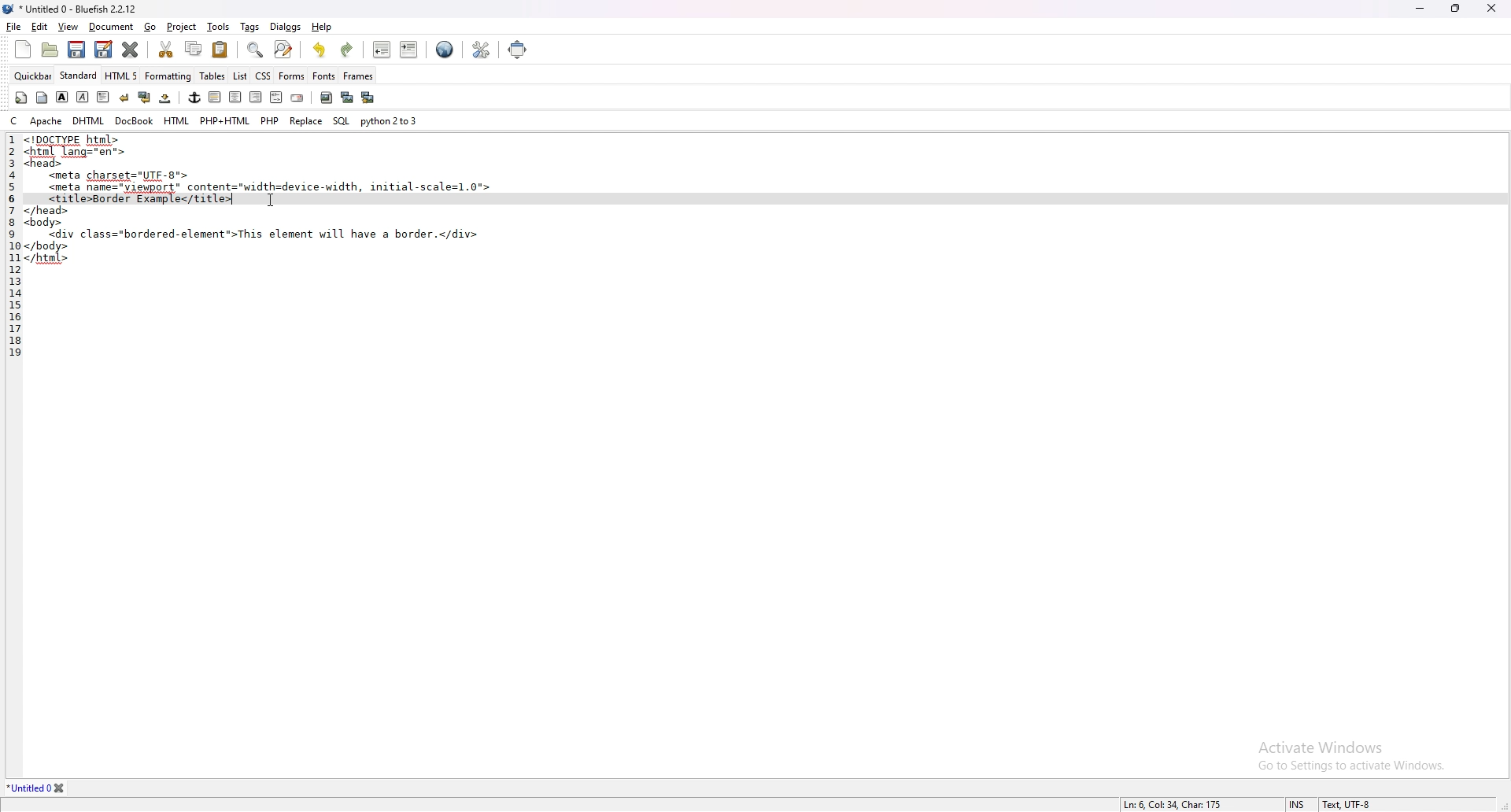 Image resolution: width=1511 pixels, height=812 pixels. What do you see at coordinates (262, 204) in the screenshot?
I see `<!DOCTYPE html><htnl lang="en"><head><meta charset="UTE-8"><meta name="yiewport” content="width=device-width, initial-scale=1.0"><Title>Border Example</title> 1</head><body><div class="bordered-element >This element will have a border.</div></body></html>` at bounding box center [262, 204].